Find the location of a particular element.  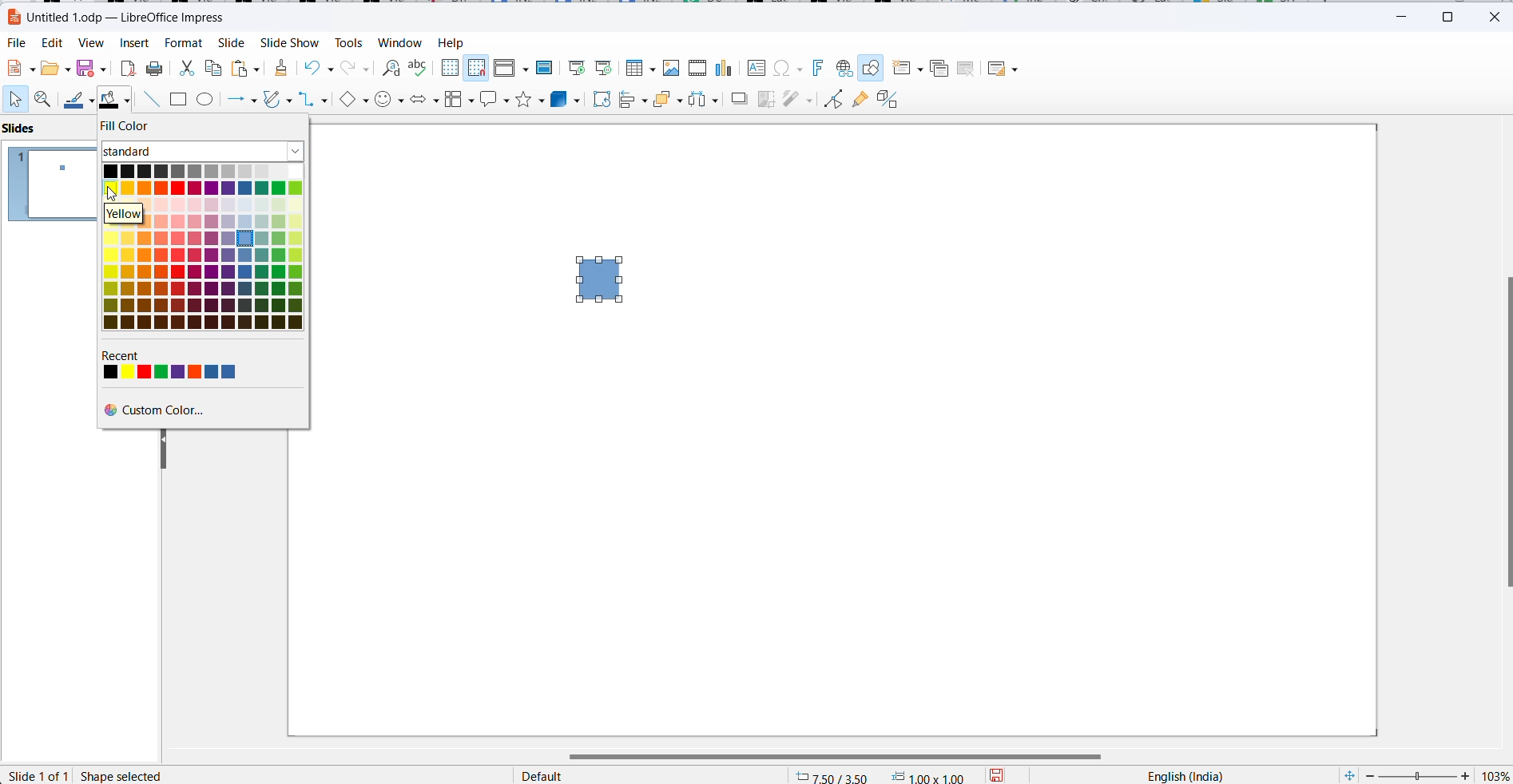

new file is located at coordinates (19, 69).